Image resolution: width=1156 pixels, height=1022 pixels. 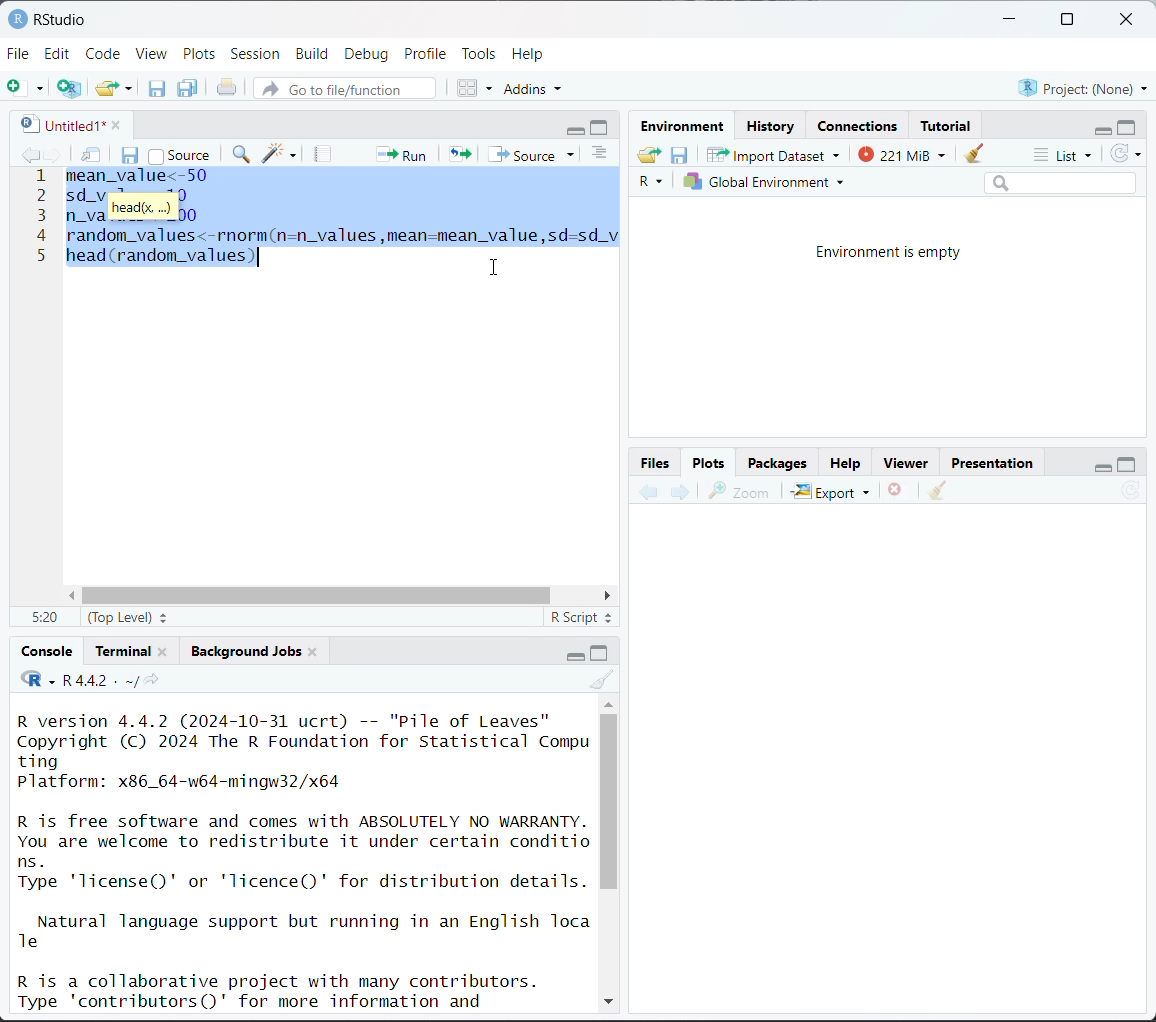 What do you see at coordinates (536, 88) in the screenshot?
I see `addins` at bounding box center [536, 88].